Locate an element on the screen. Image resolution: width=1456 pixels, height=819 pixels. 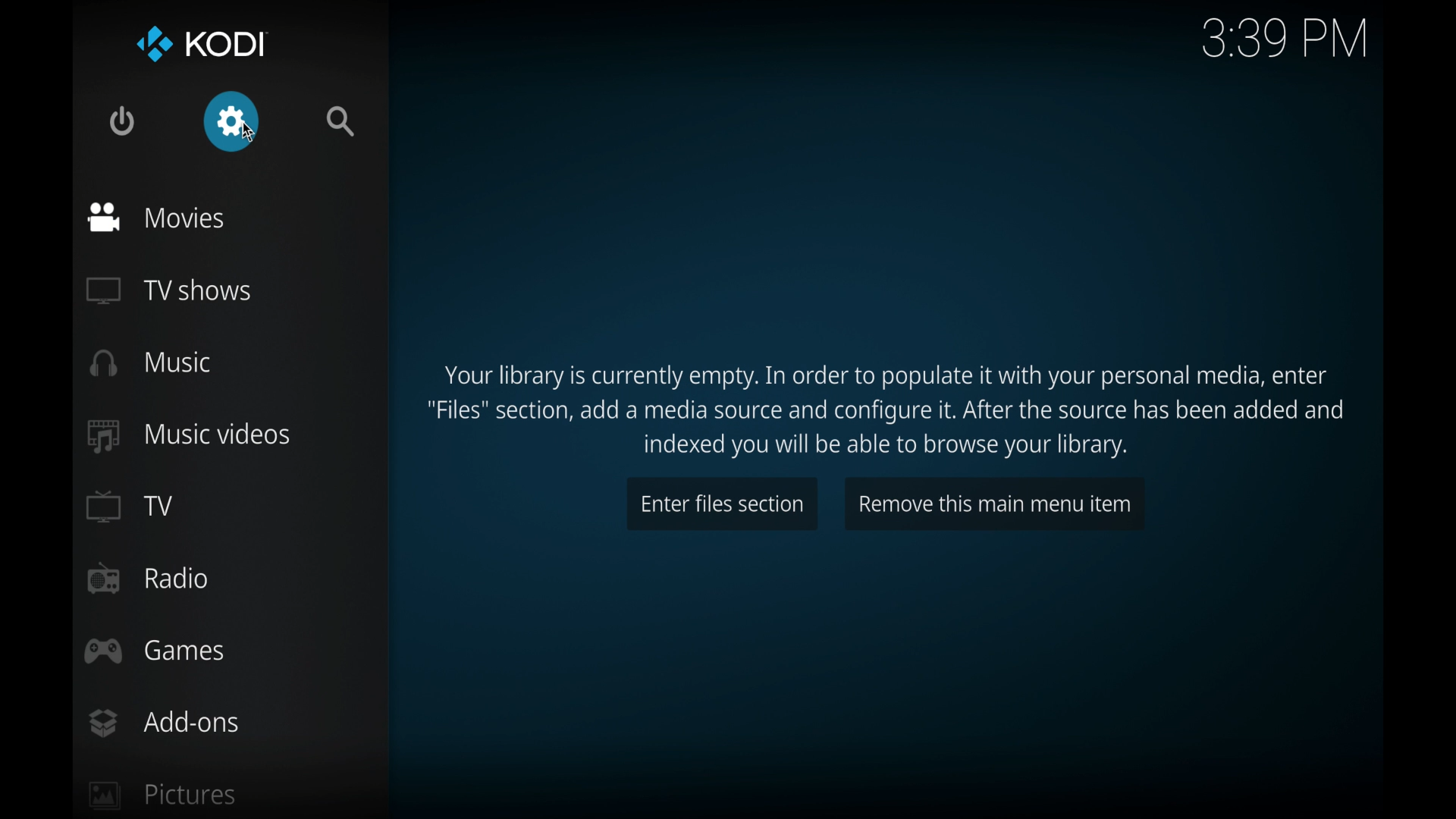
add-ons is located at coordinates (162, 723).